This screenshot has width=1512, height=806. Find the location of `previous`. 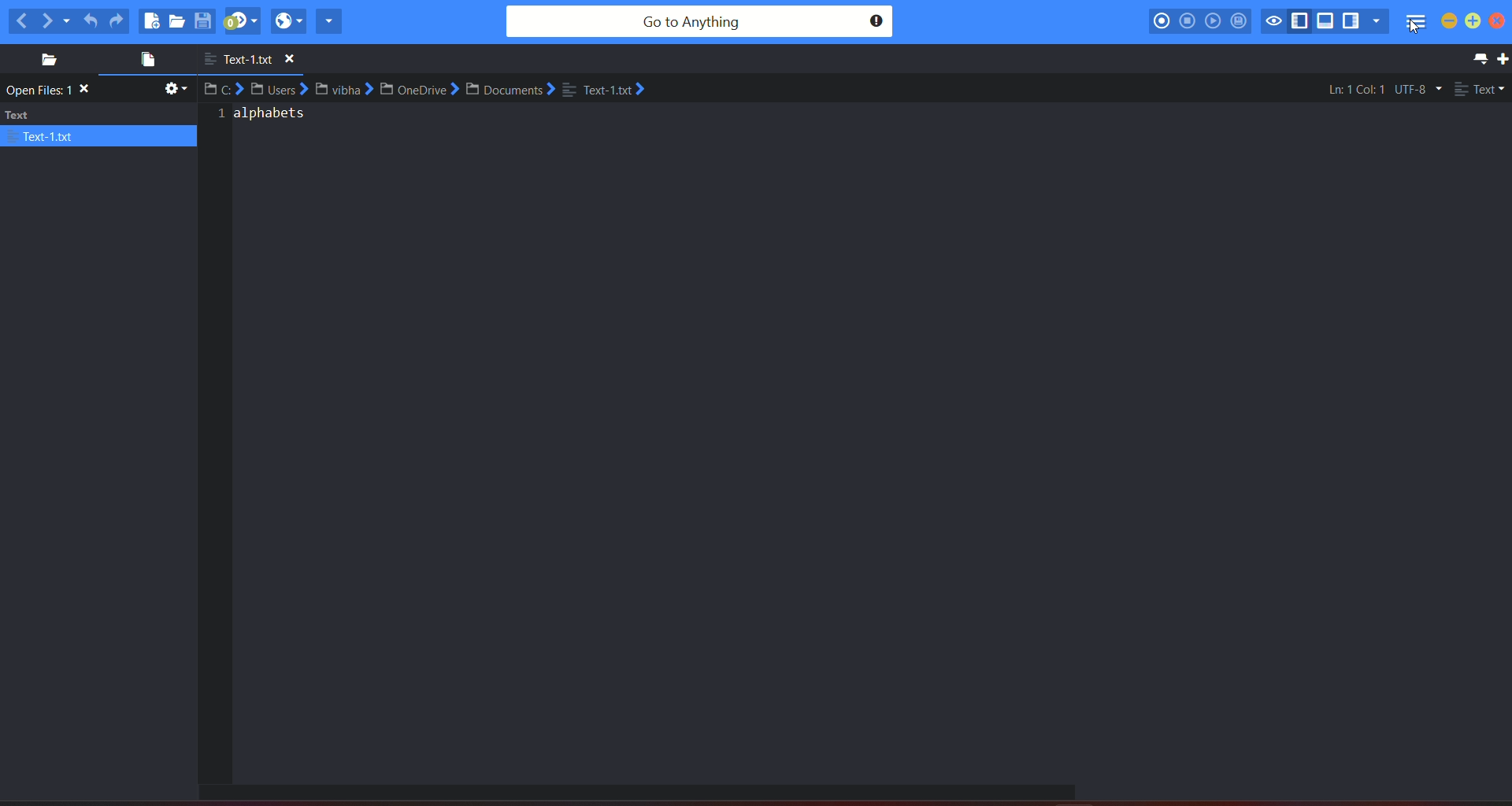

previous is located at coordinates (20, 20).